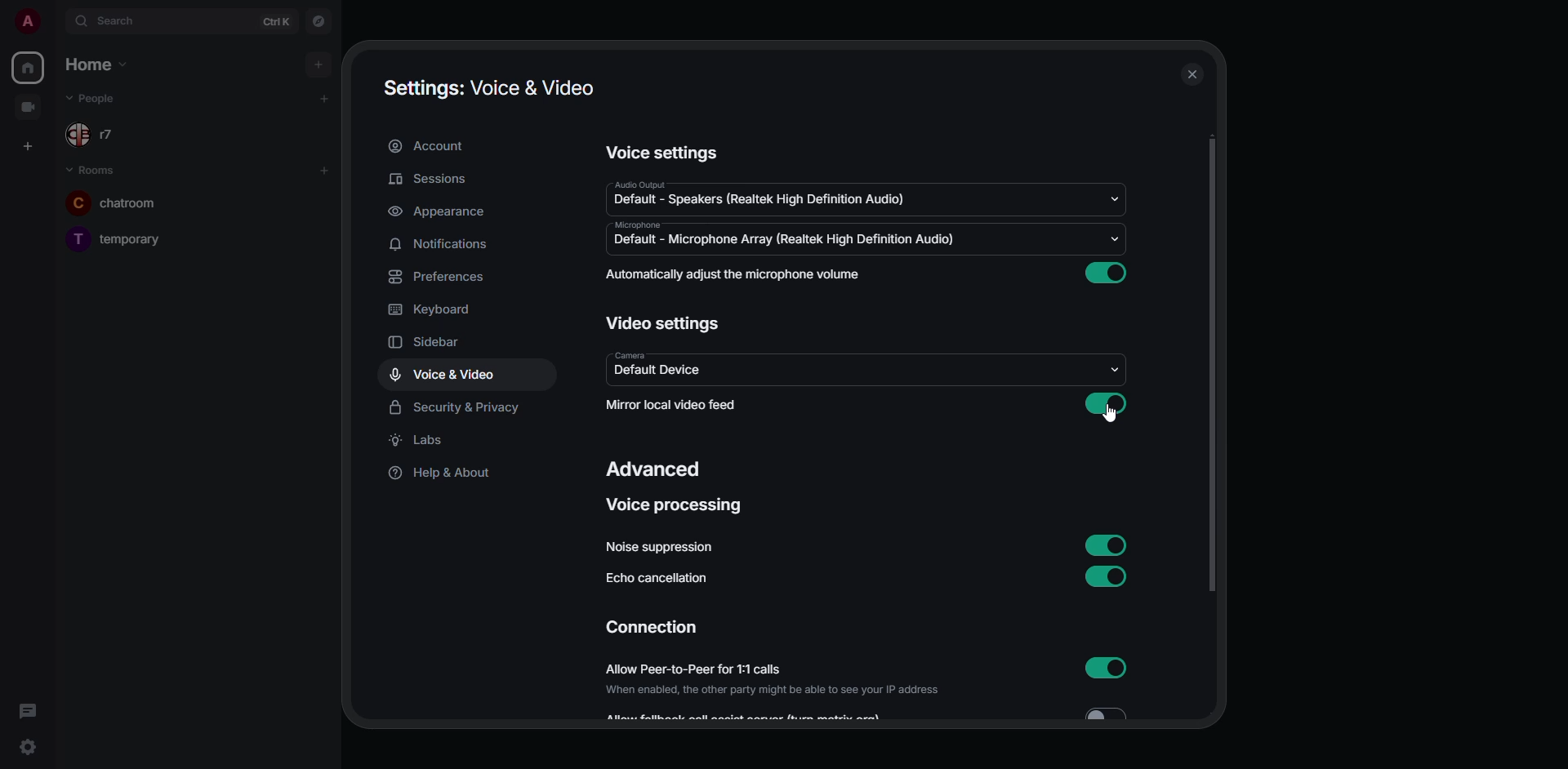 The image size is (1568, 769). Describe the element at coordinates (629, 353) in the screenshot. I see `camera` at that location.